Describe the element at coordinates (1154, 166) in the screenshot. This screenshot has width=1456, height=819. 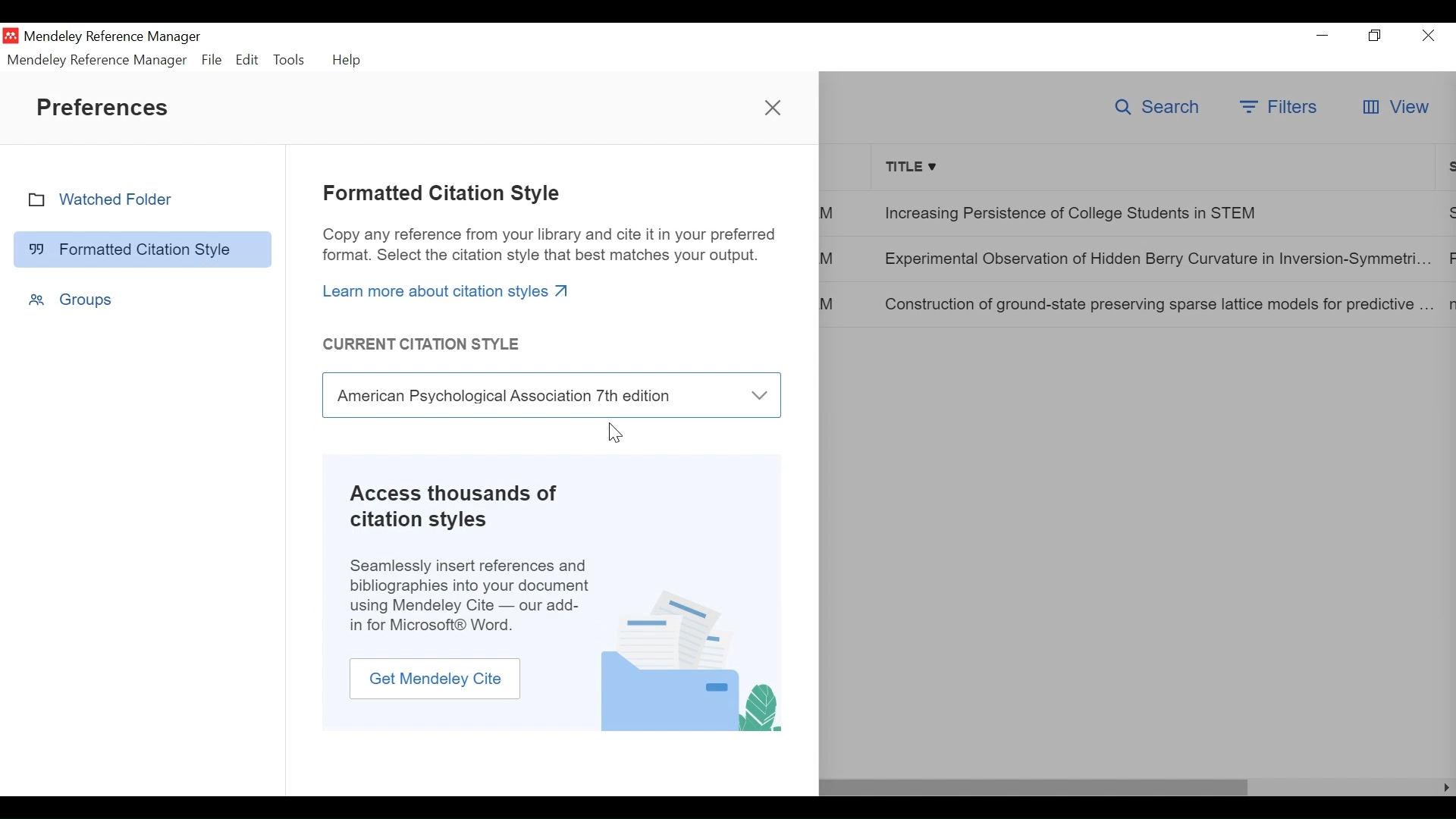
I see `Title` at that location.